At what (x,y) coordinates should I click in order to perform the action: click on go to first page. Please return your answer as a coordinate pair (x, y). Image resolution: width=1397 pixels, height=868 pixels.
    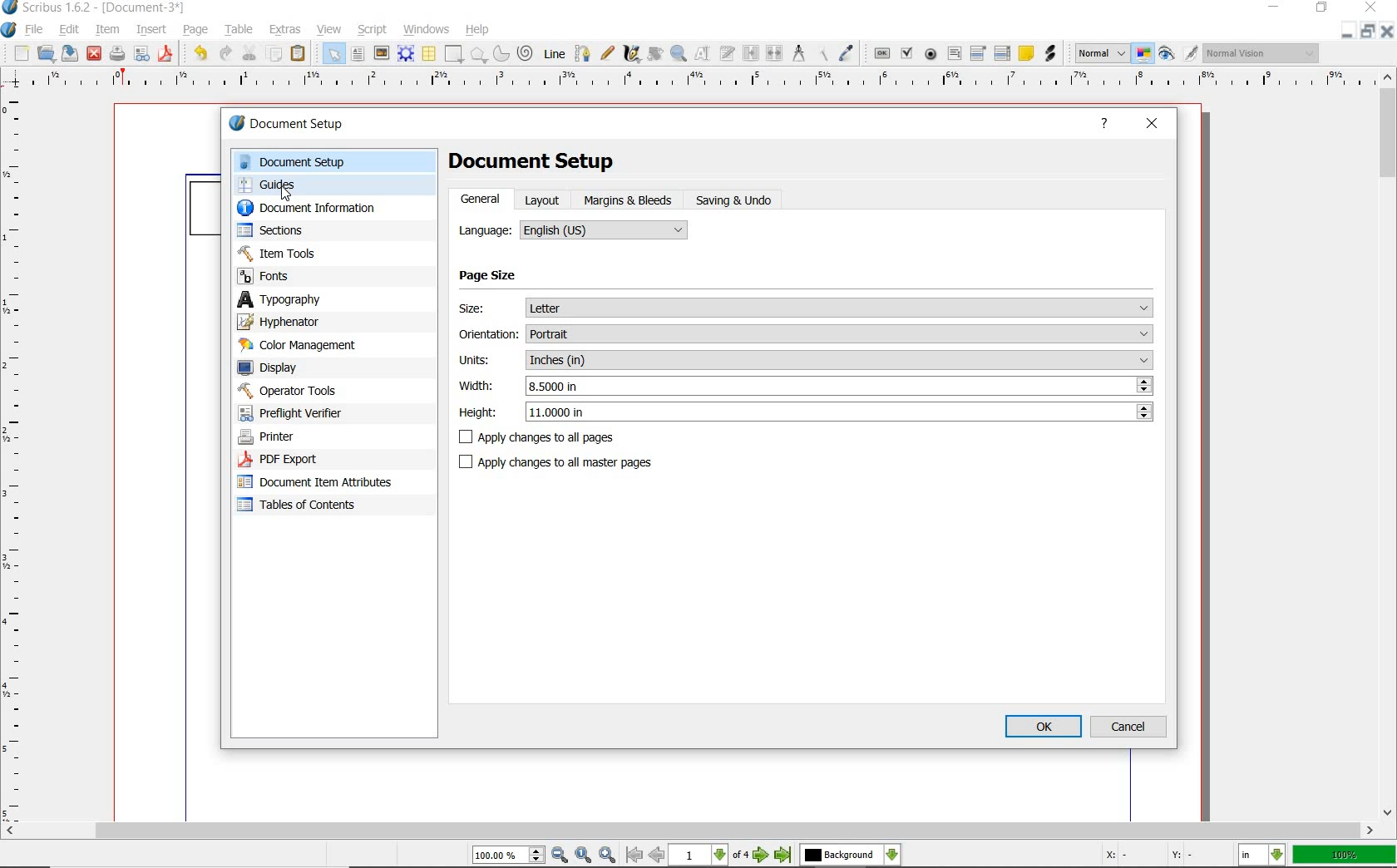
    Looking at the image, I should click on (634, 856).